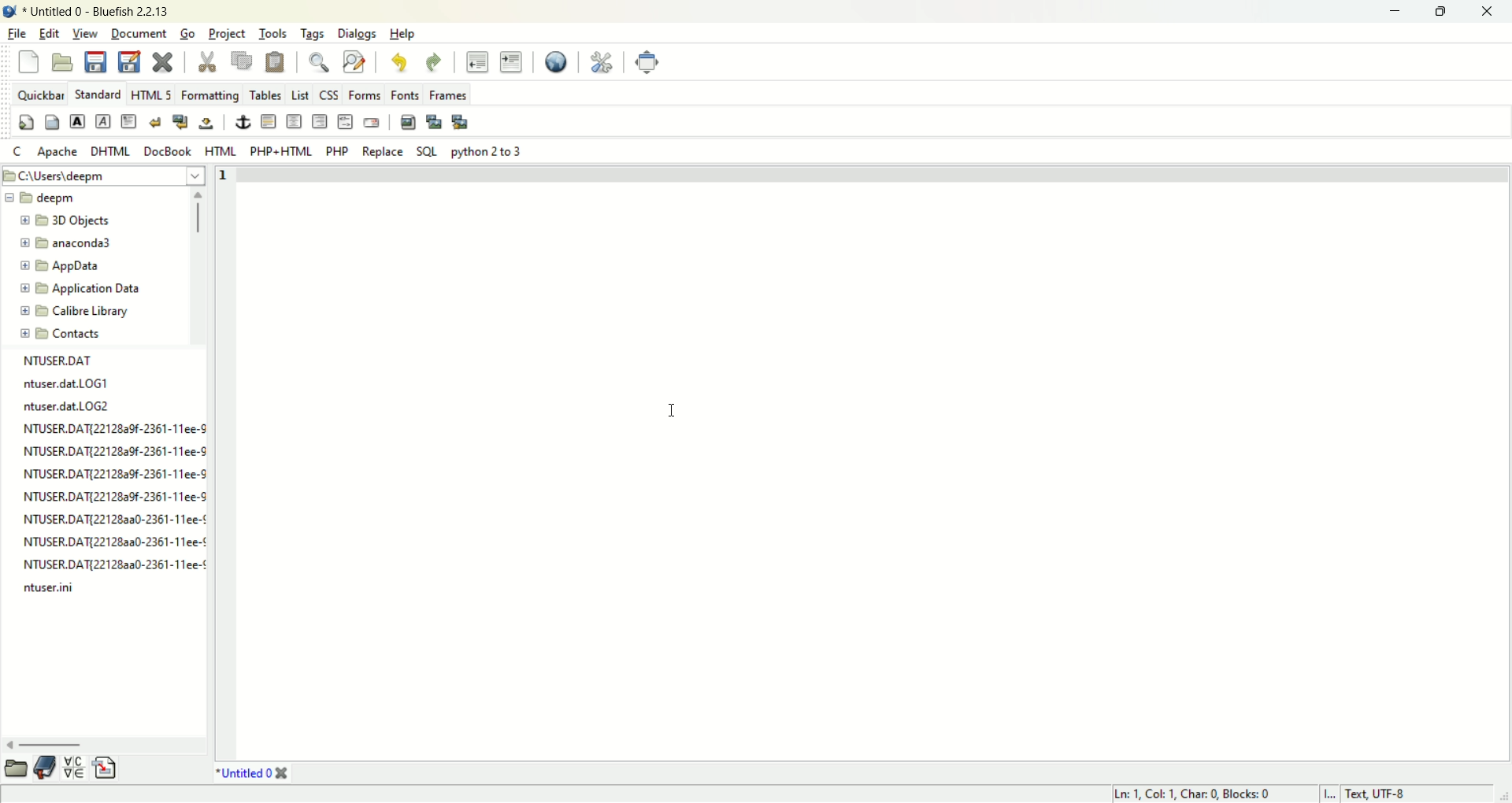 This screenshot has width=1512, height=803. Describe the element at coordinates (63, 243) in the screenshot. I see `folder name` at that location.